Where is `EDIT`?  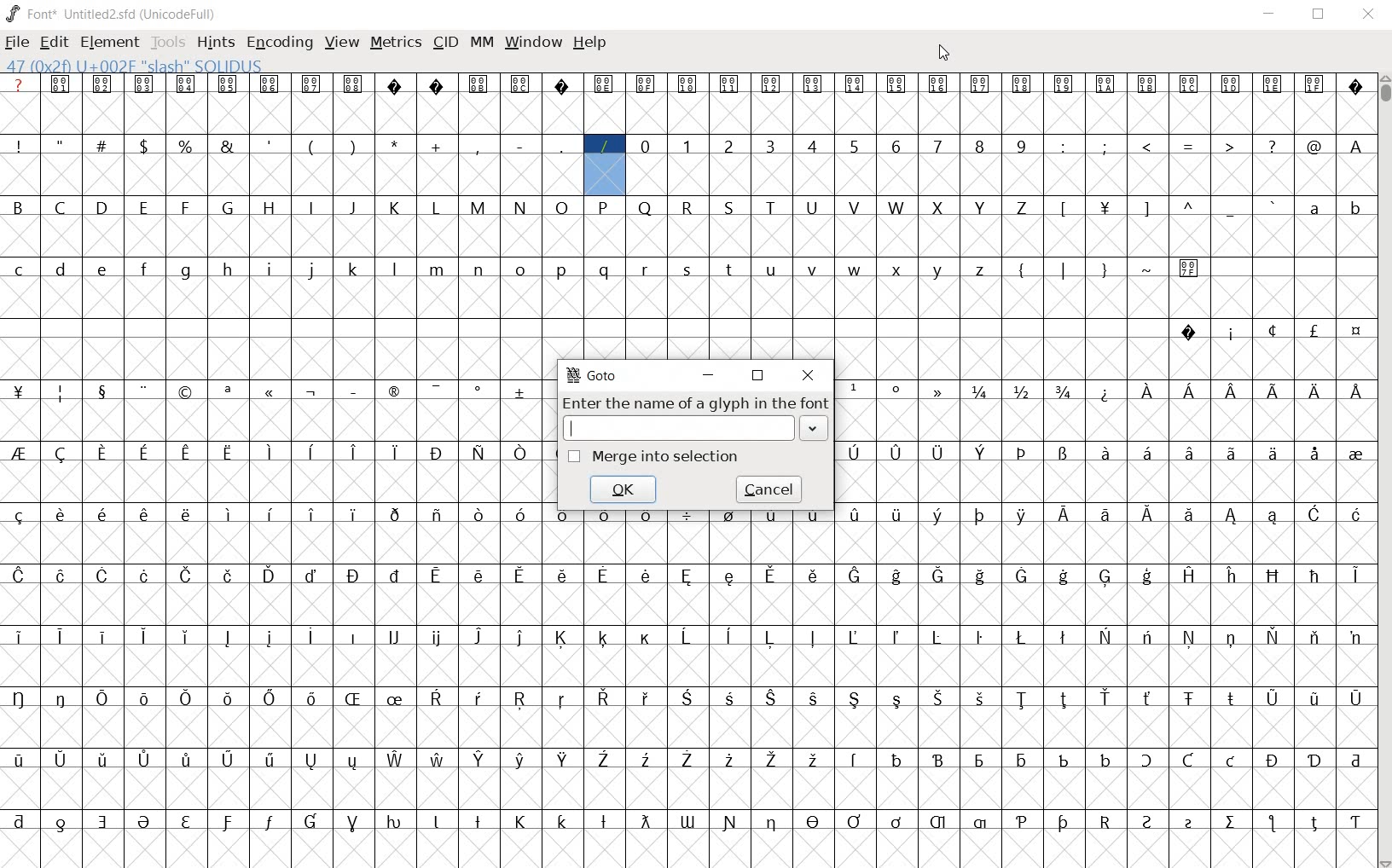
EDIT is located at coordinates (57, 40).